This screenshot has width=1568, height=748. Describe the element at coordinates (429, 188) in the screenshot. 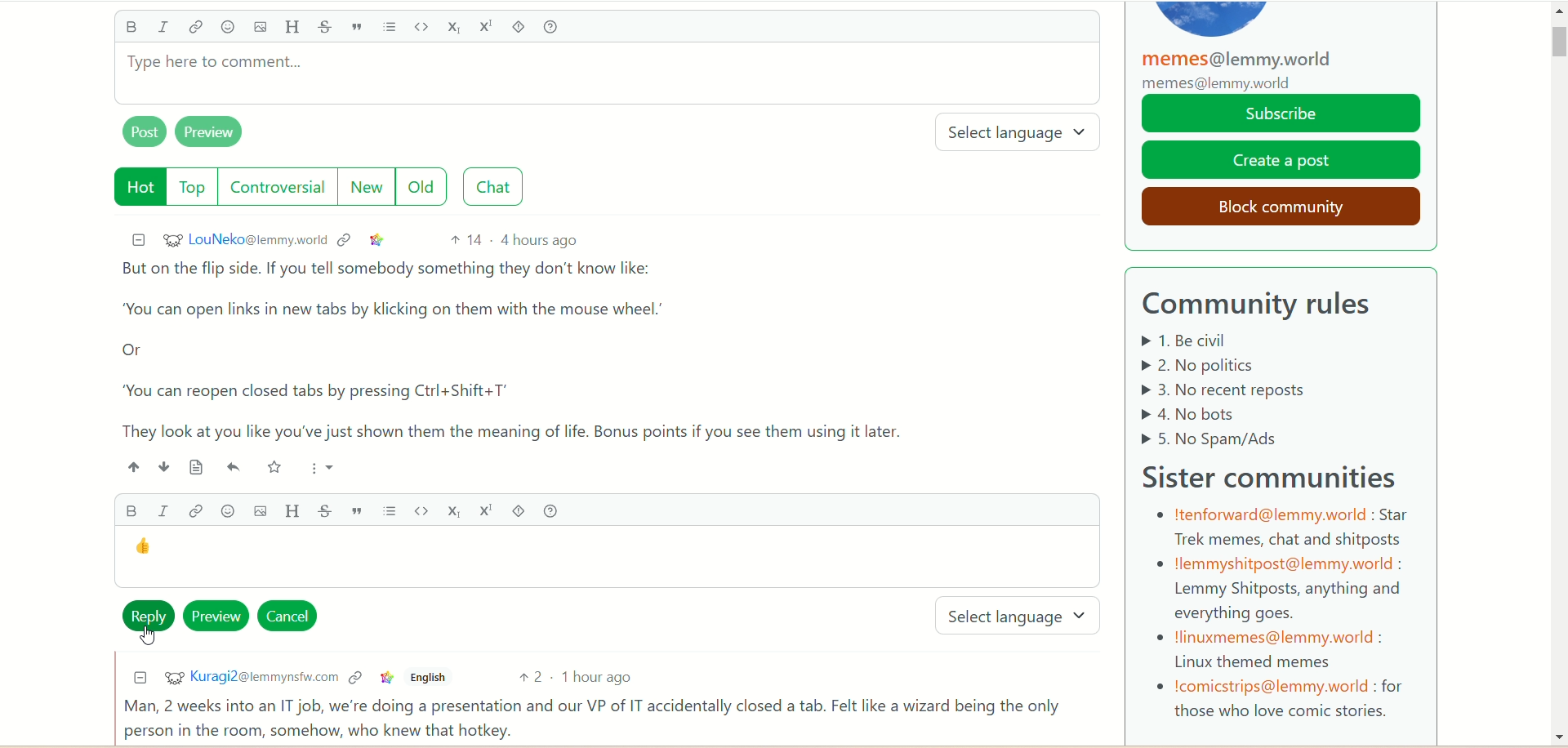

I see `old` at that location.